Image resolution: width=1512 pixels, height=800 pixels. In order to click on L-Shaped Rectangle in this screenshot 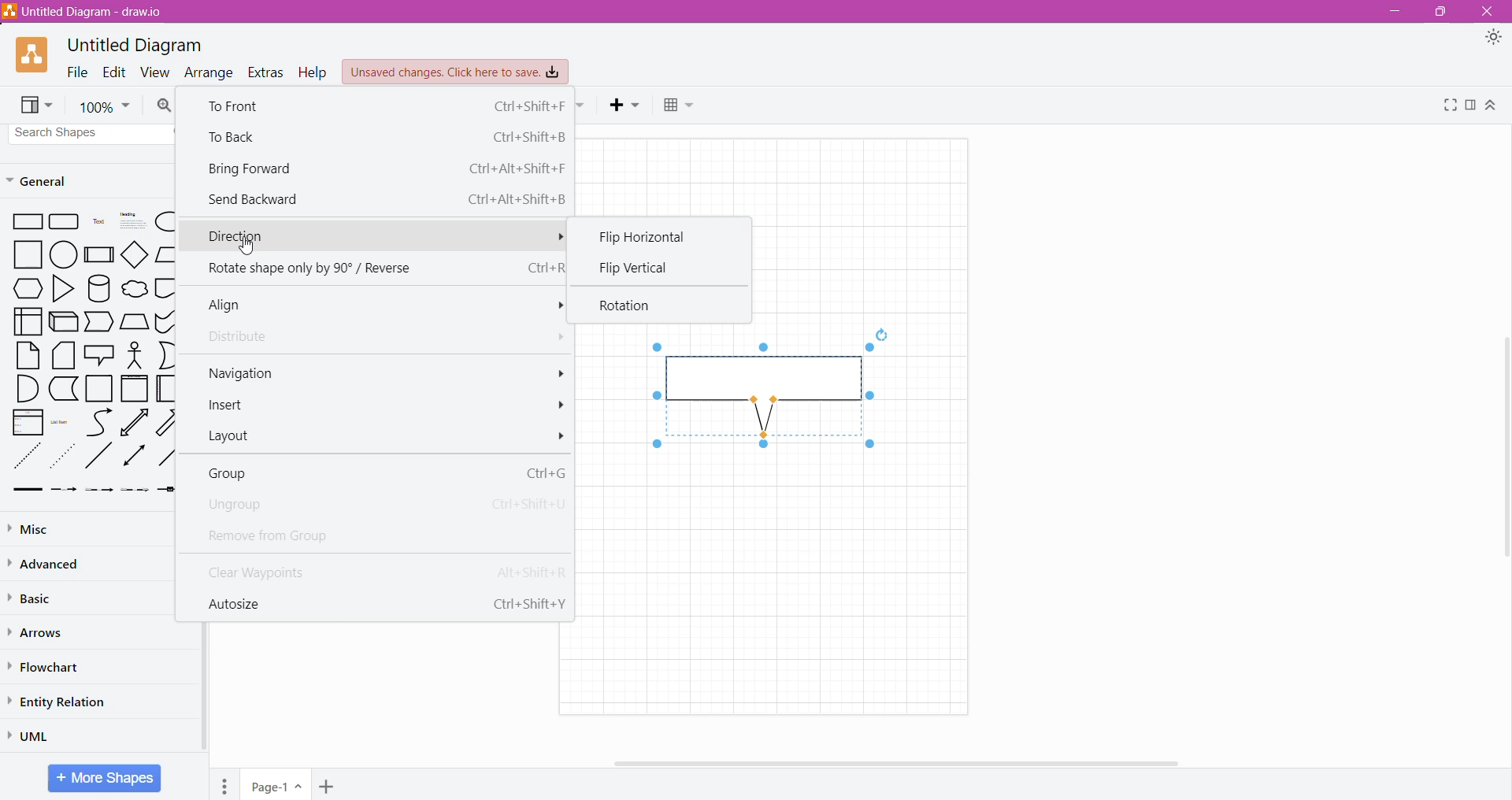, I will do `click(62, 389)`.